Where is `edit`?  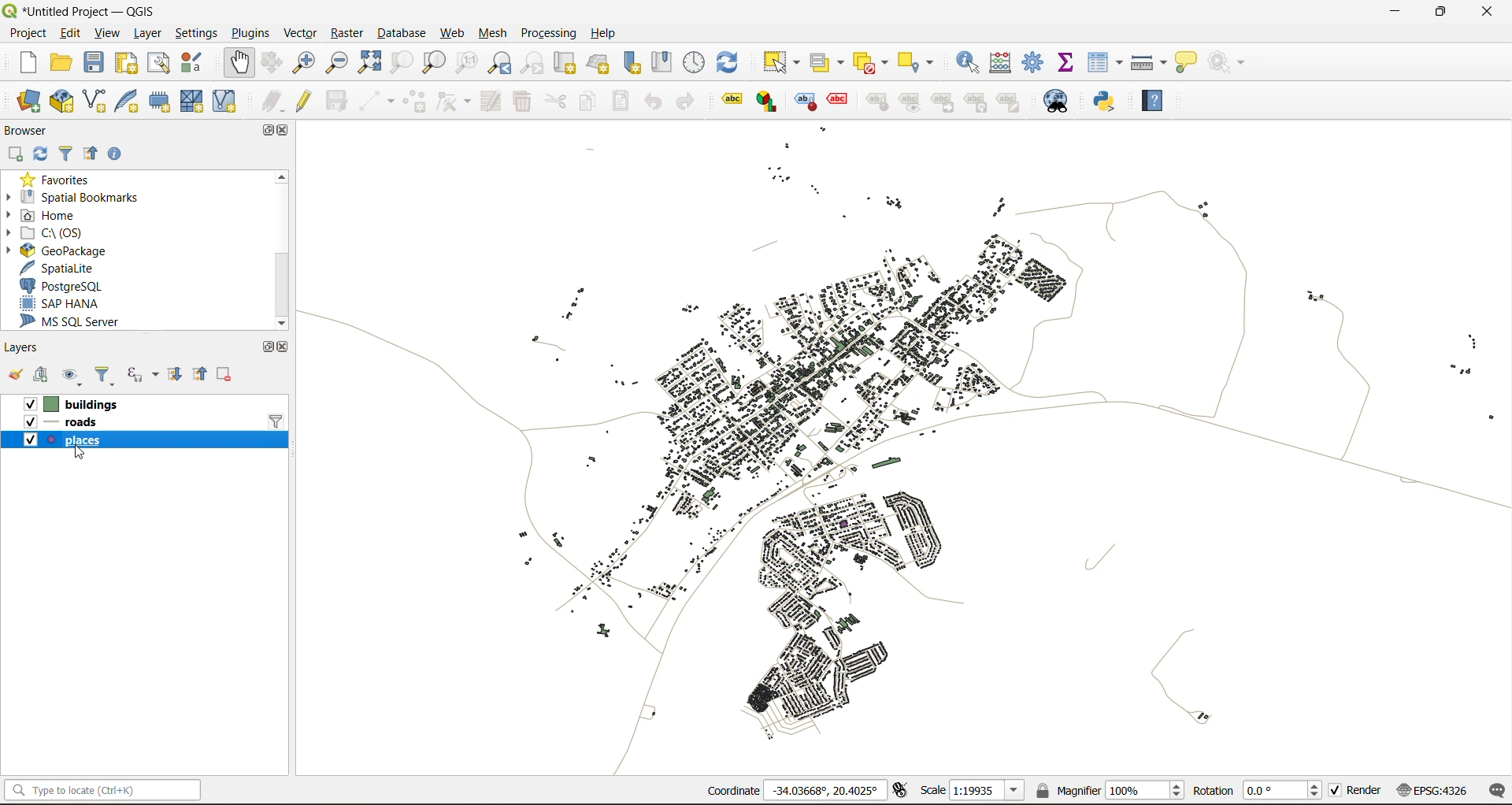
edit is located at coordinates (69, 33).